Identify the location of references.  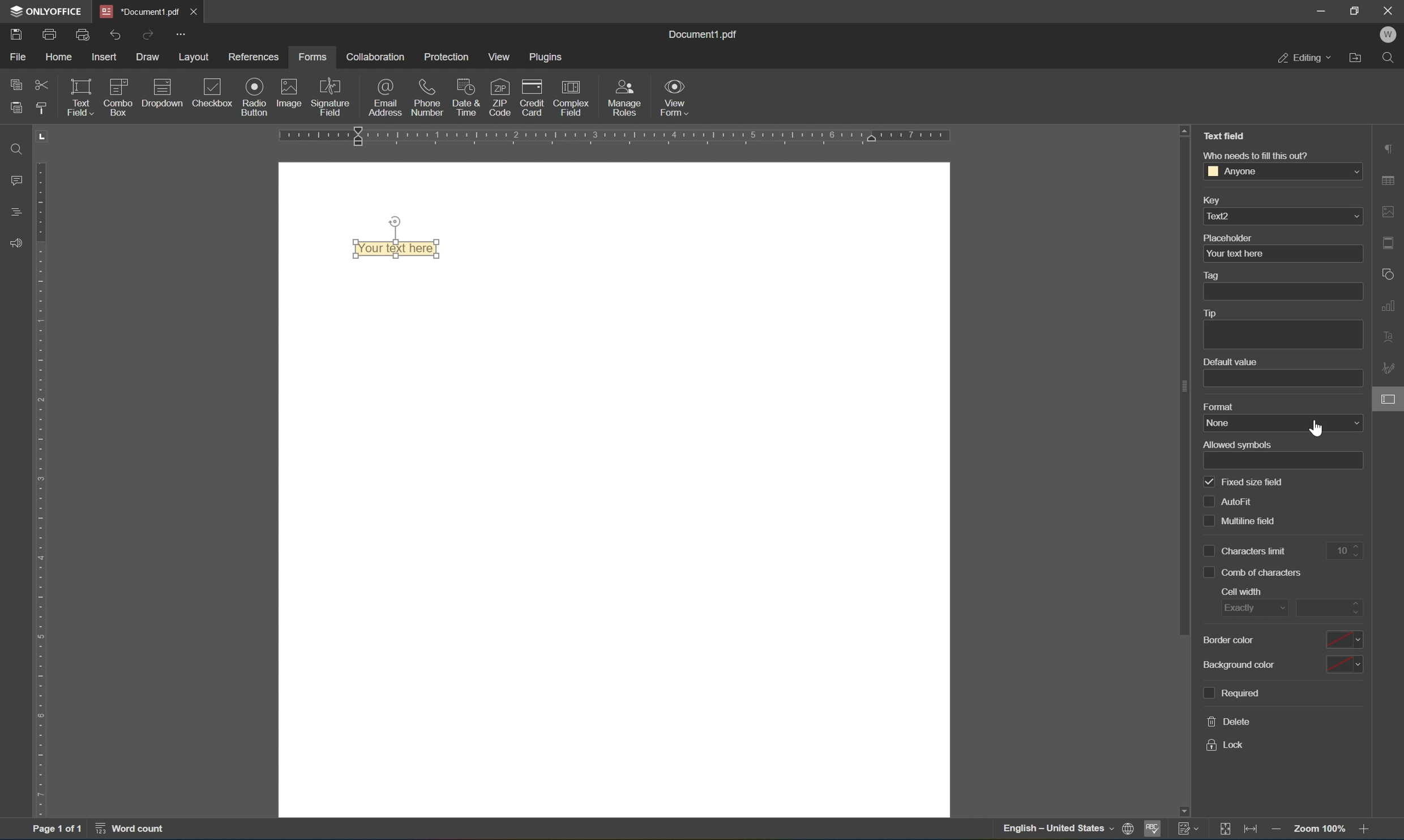
(256, 57).